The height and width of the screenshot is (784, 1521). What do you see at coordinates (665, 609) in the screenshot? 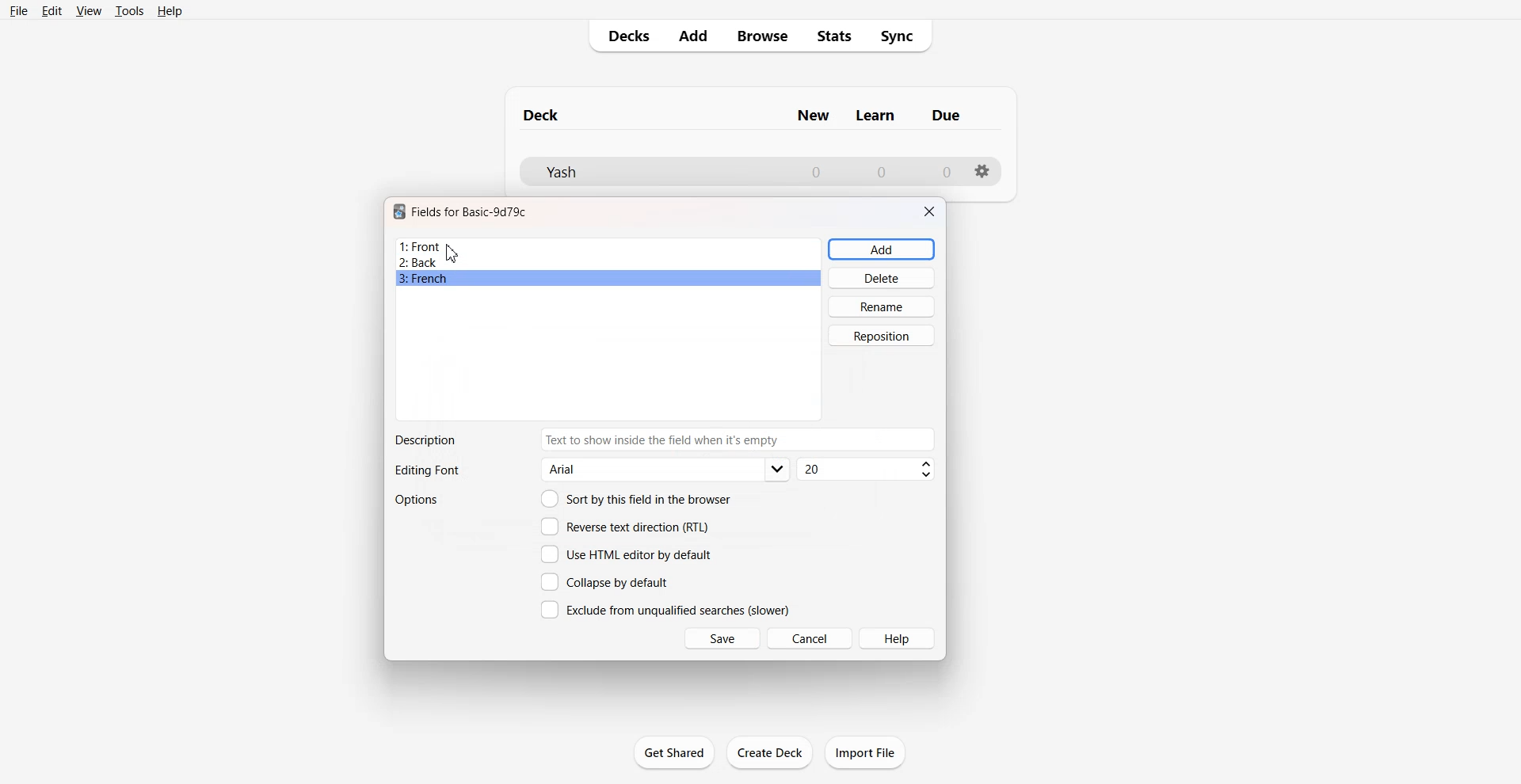
I see `Exclude from unqualified searches (slower)` at bounding box center [665, 609].